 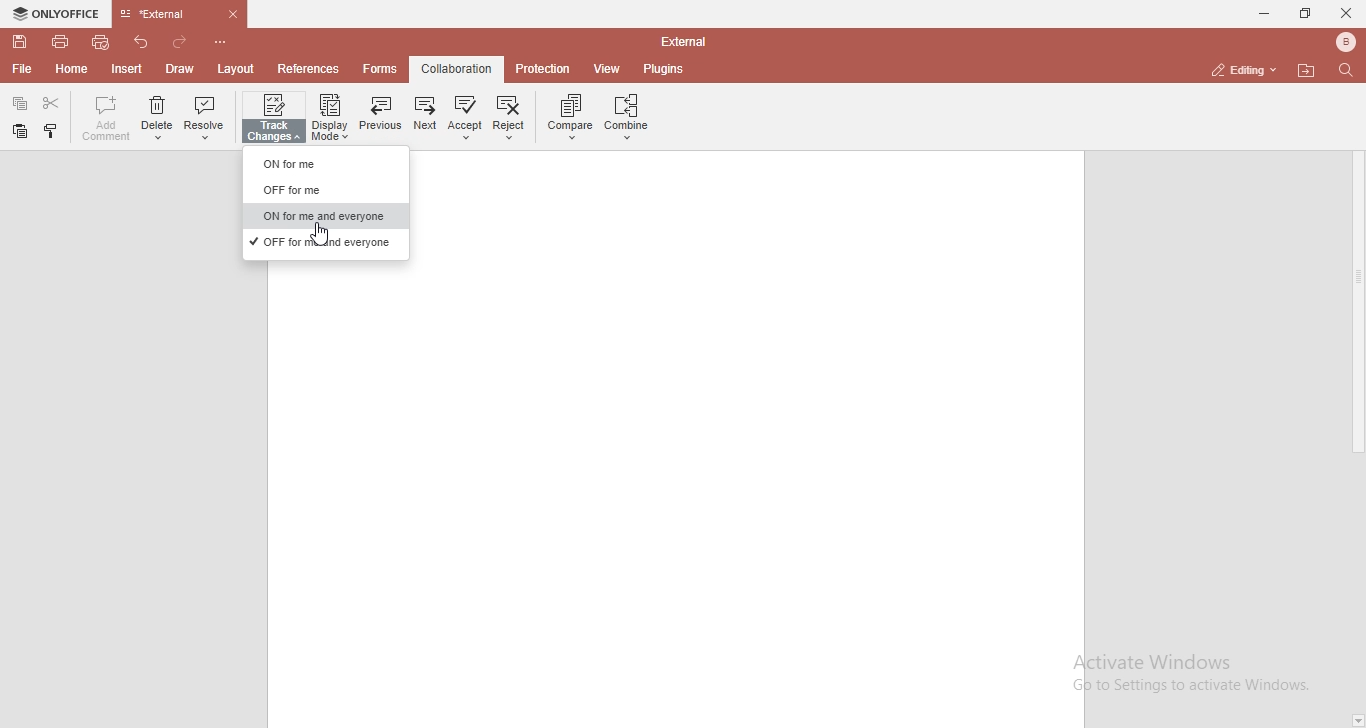 I want to click on home, so click(x=72, y=70).